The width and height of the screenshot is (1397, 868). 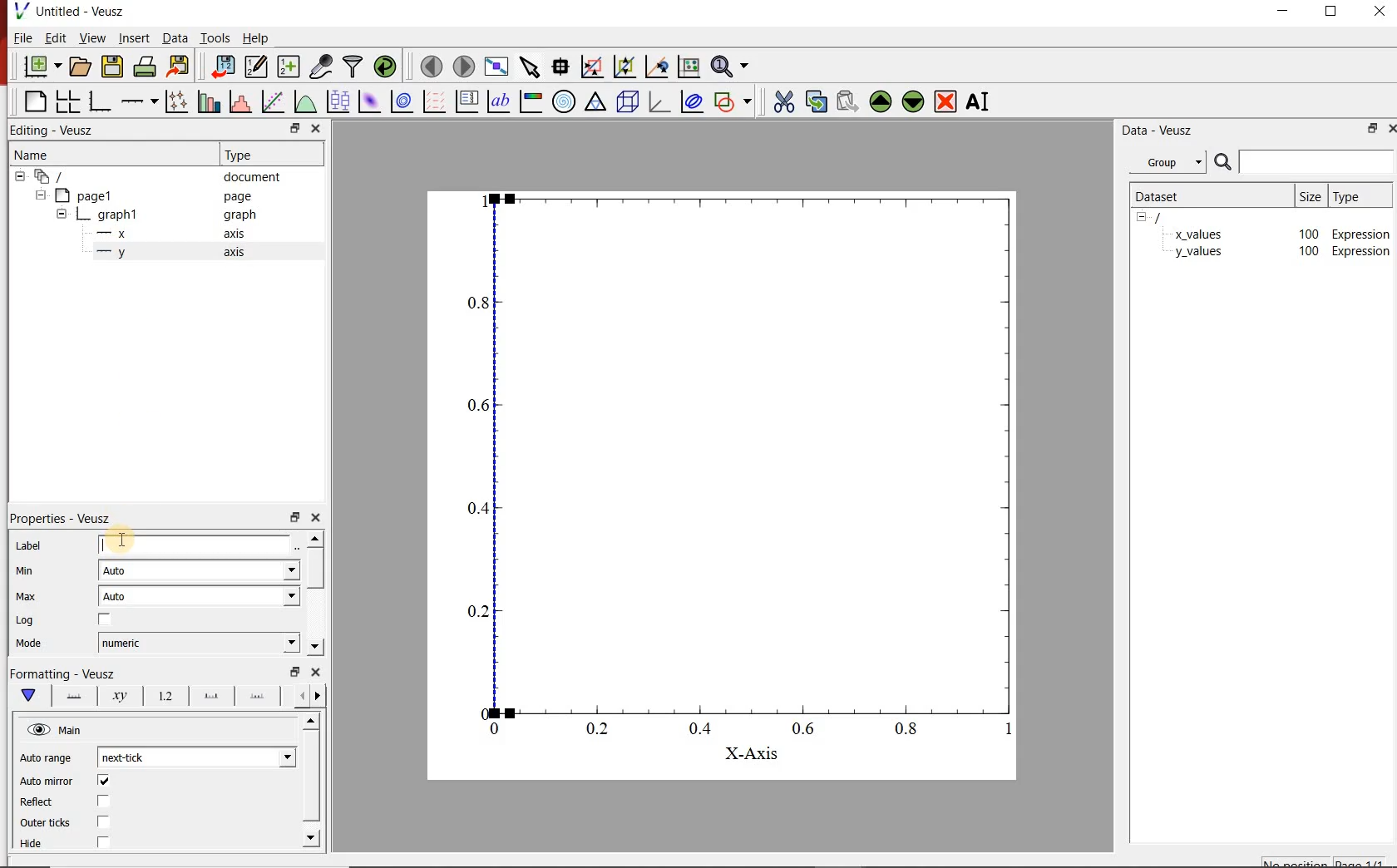 I want to click on axis, so click(x=234, y=253).